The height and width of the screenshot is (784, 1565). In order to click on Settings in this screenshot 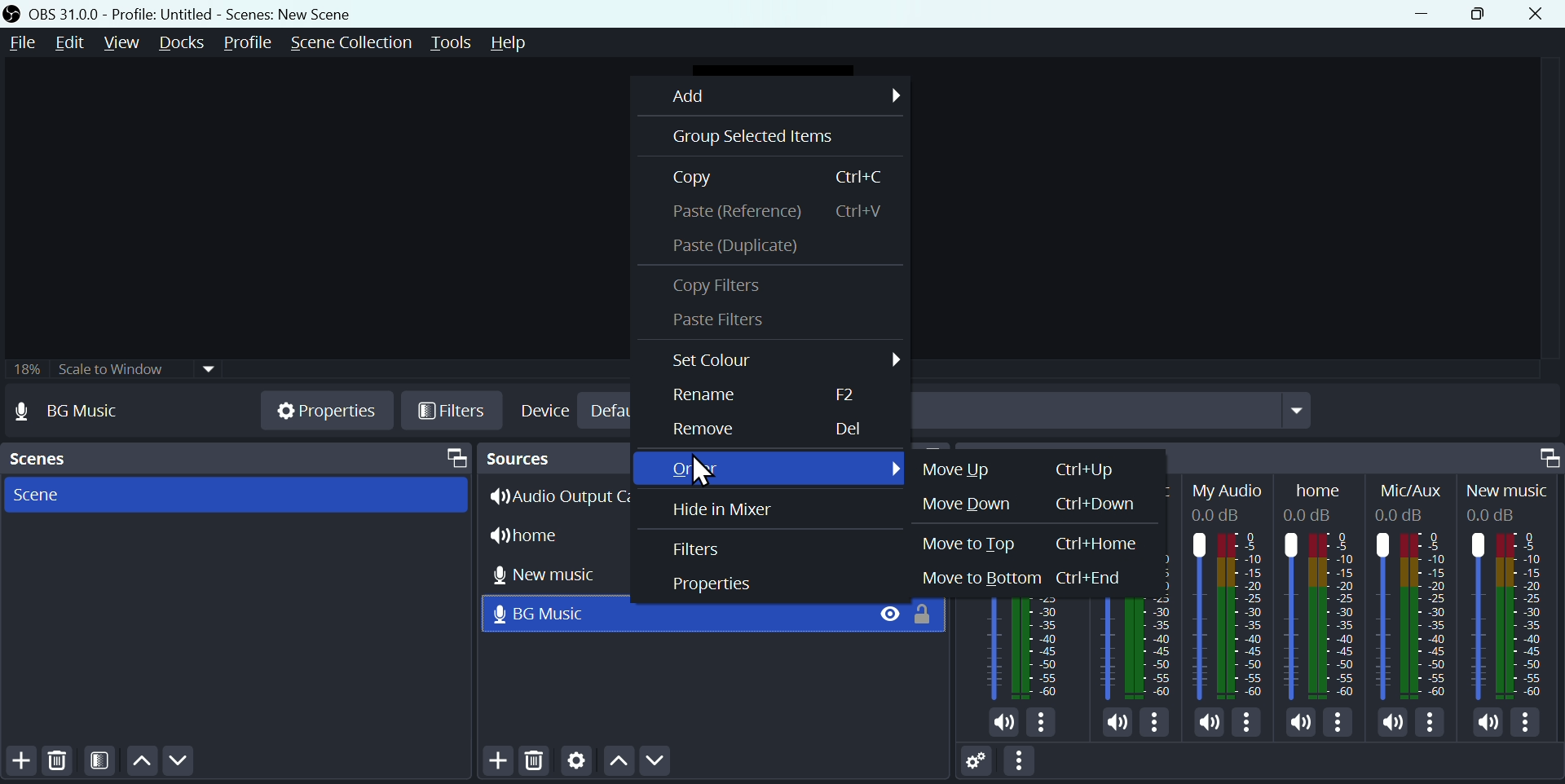, I will do `click(573, 764)`.